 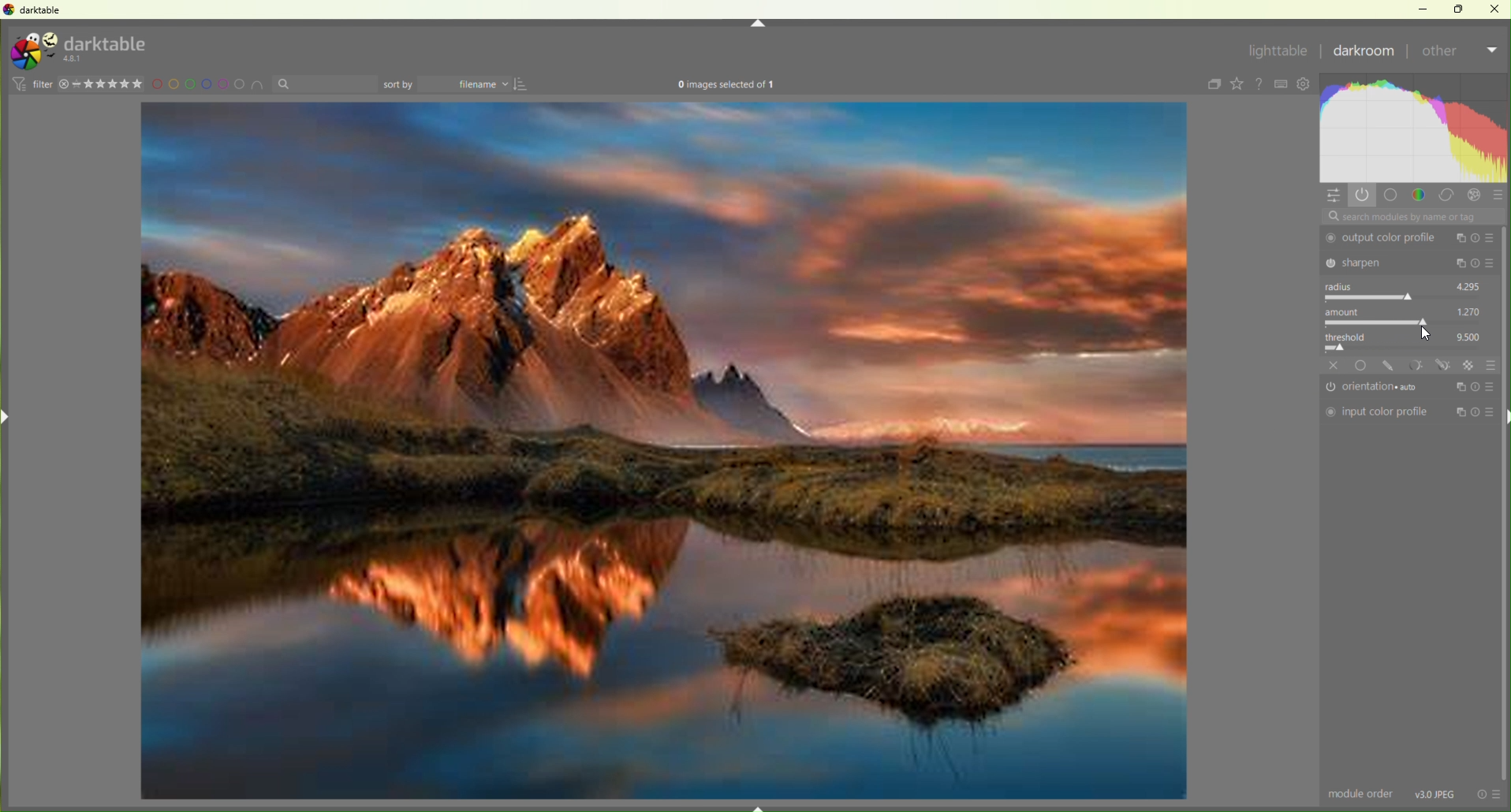 What do you see at coordinates (1470, 335) in the screenshot?
I see `value` at bounding box center [1470, 335].